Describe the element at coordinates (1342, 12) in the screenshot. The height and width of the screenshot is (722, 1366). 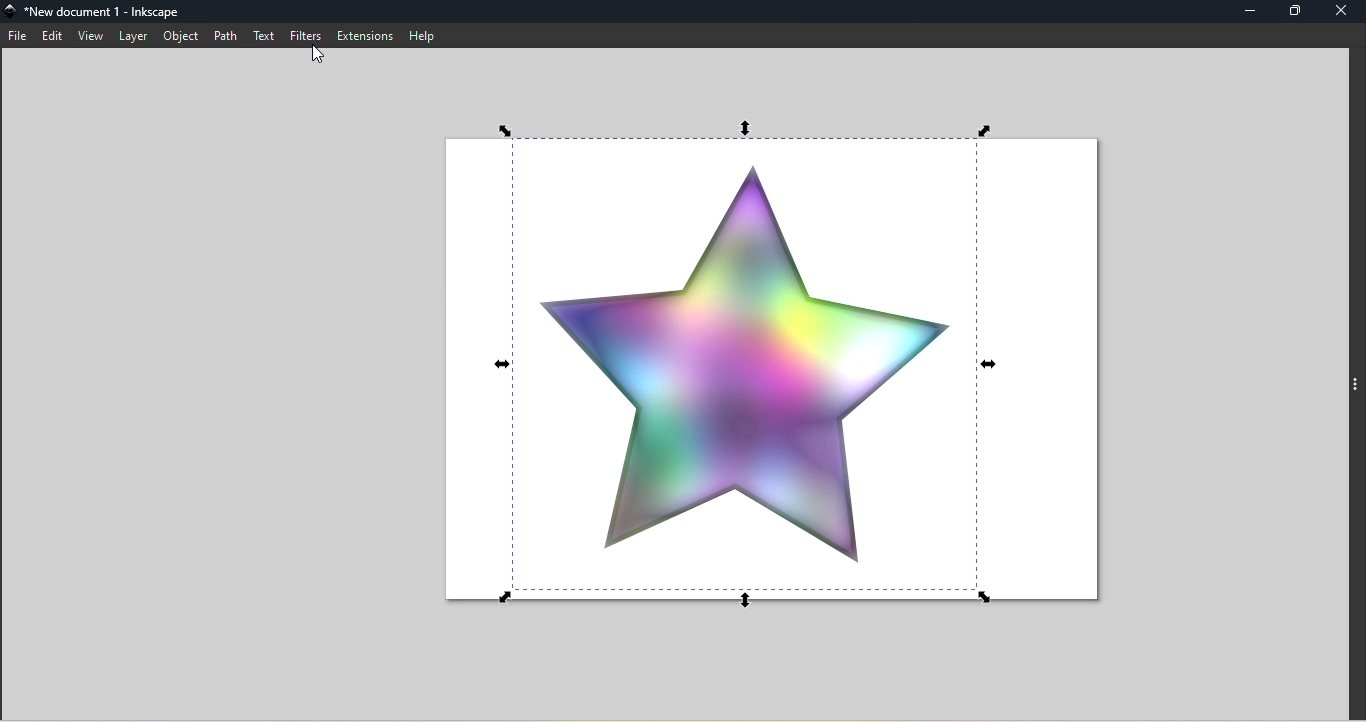
I see `Close` at that location.